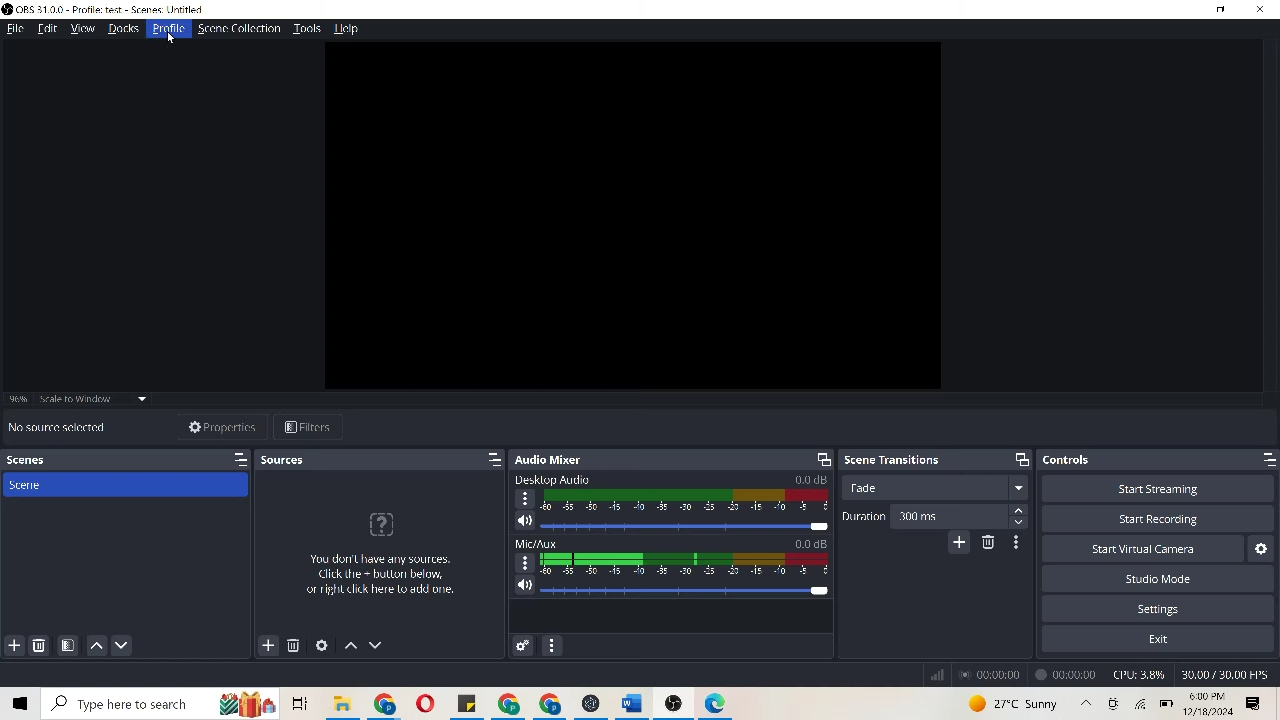 The width and height of the screenshot is (1280, 720). Describe the element at coordinates (117, 9) in the screenshot. I see `OBS 31.0.0-profile:test` at that location.